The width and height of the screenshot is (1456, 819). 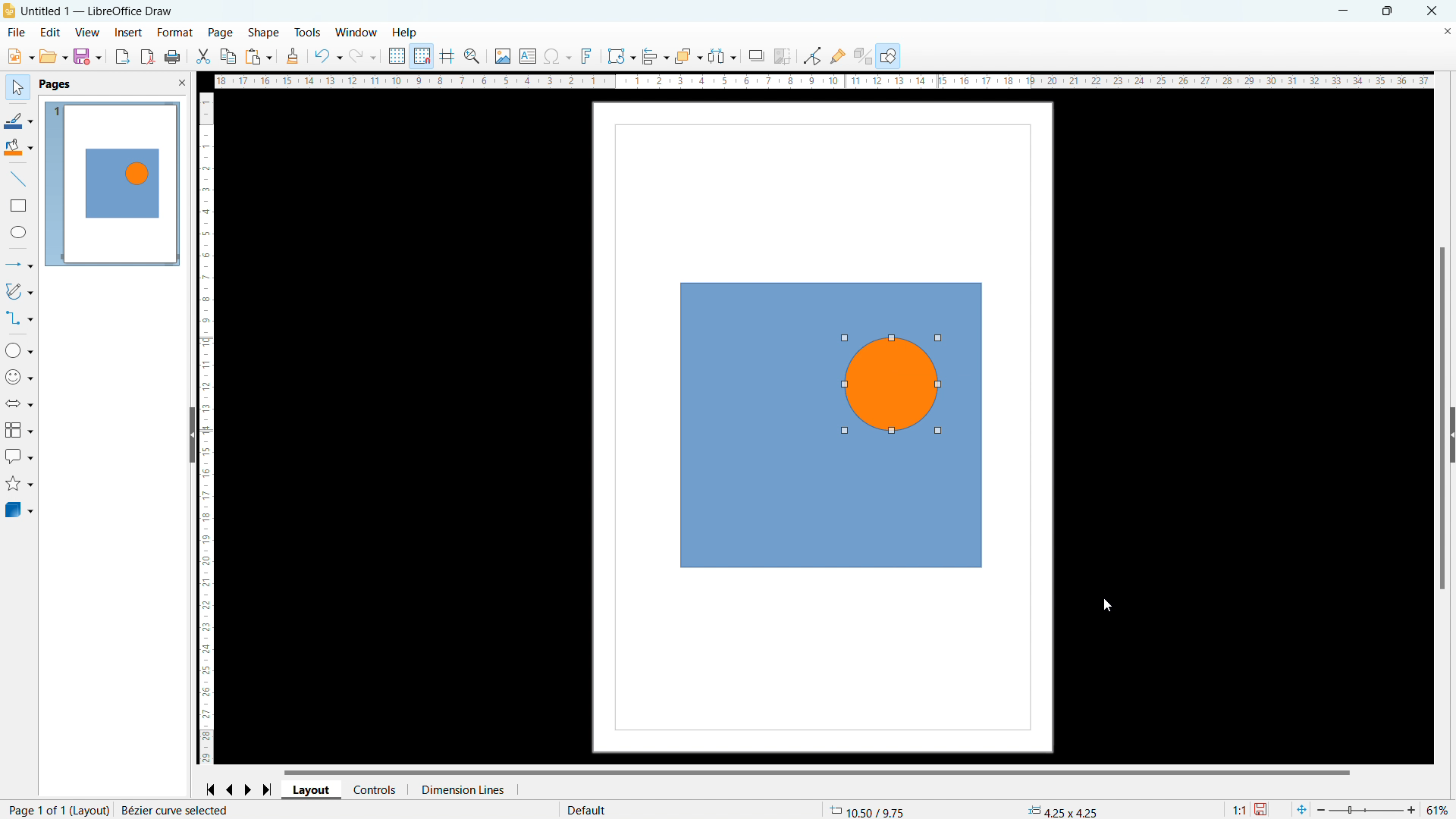 I want to click on insert special characters, so click(x=558, y=57).